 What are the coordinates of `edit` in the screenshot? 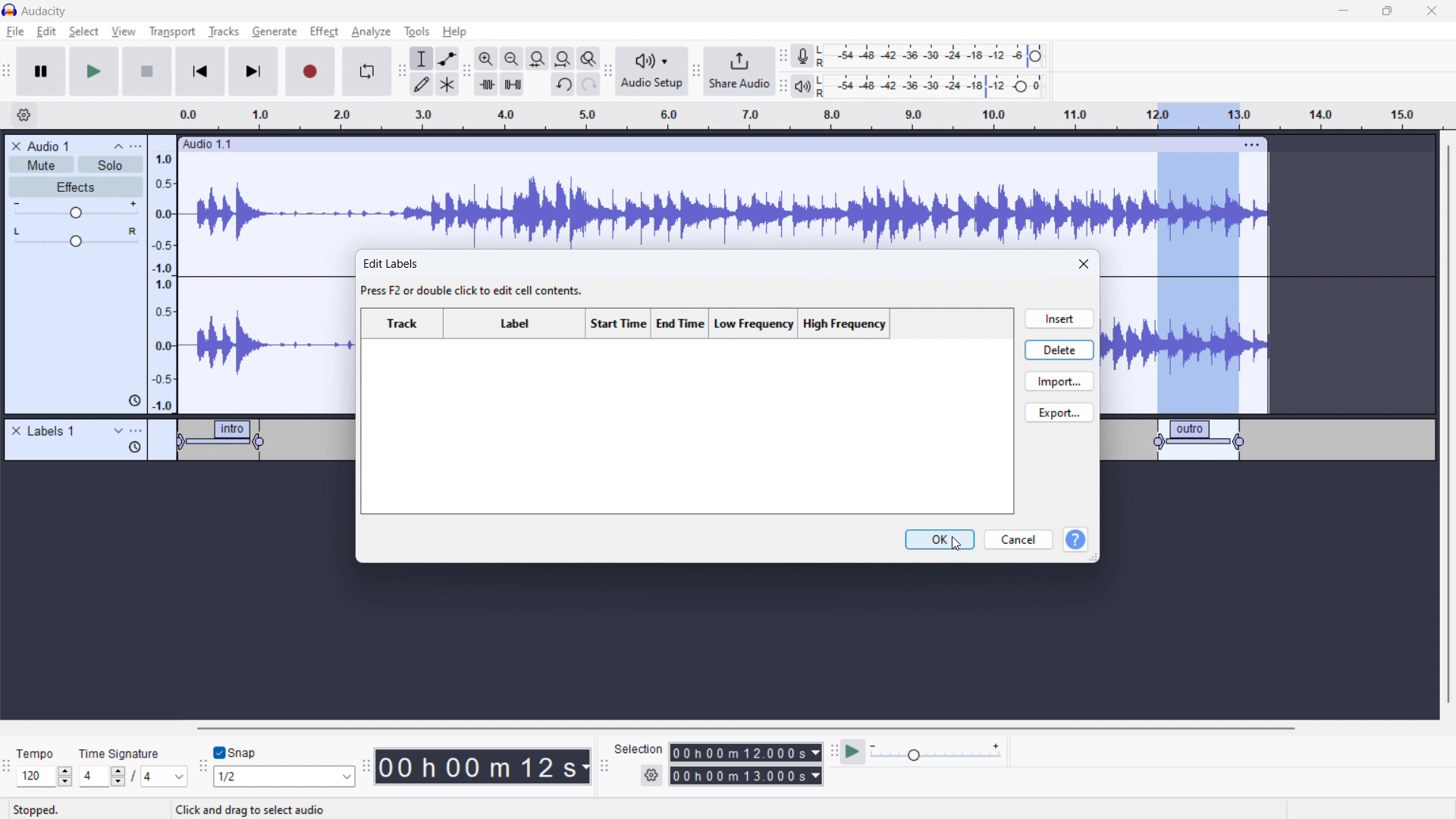 It's located at (46, 32).